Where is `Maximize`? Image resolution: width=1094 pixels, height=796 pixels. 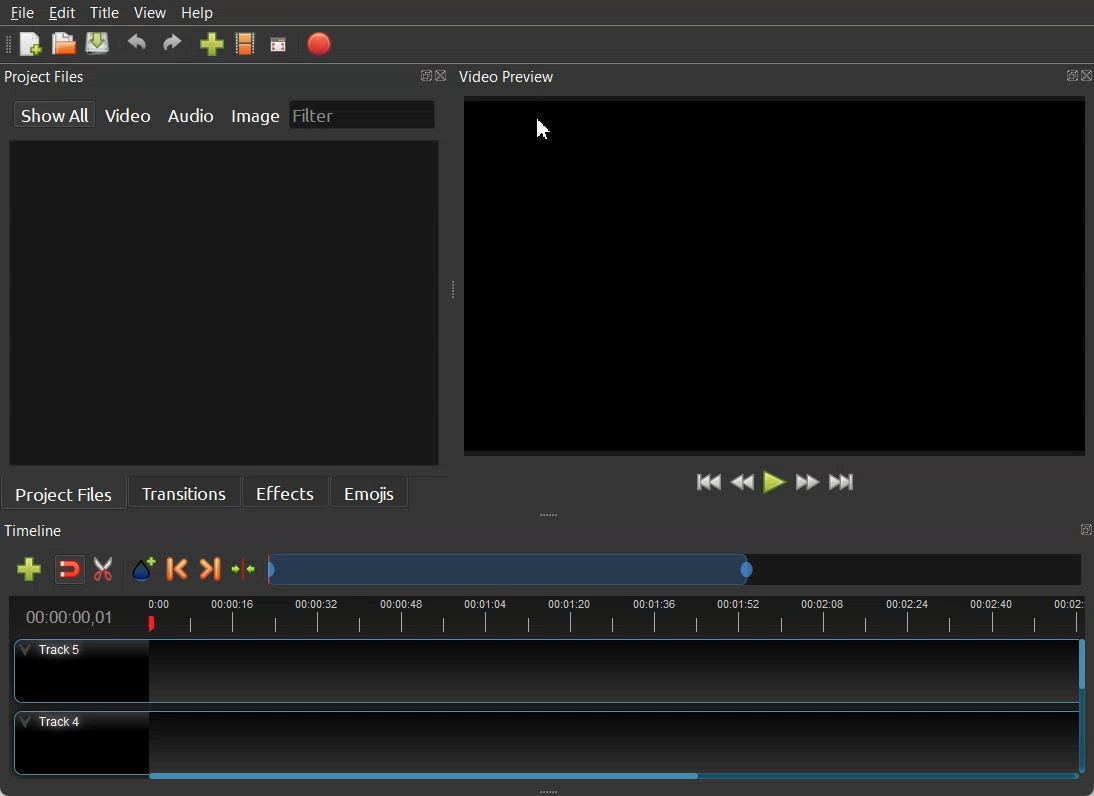 Maximize is located at coordinates (1072, 76).